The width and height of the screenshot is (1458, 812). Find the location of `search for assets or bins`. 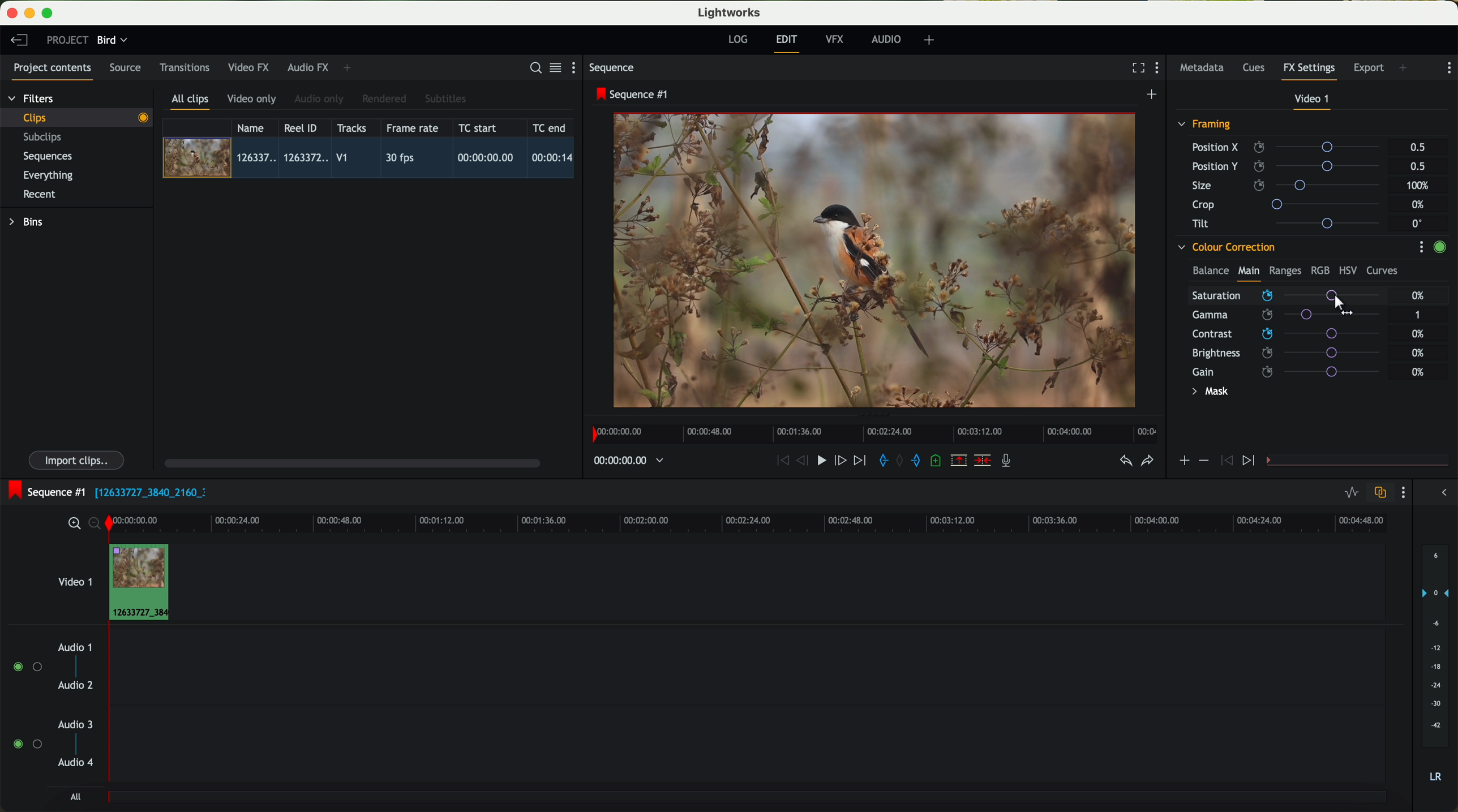

search for assets or bins is located at coordinates (532, 68).